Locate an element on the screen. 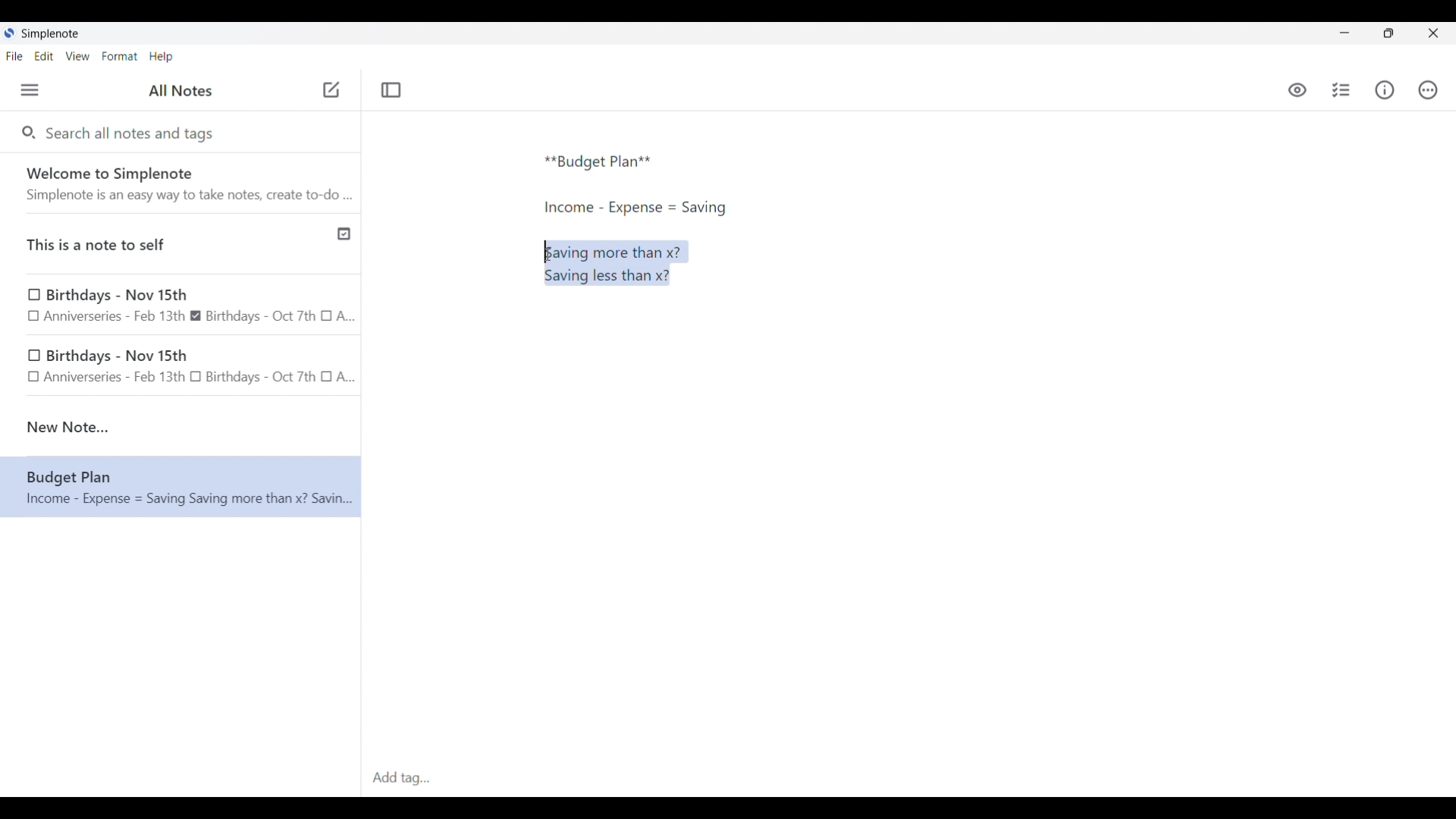 This screenshot has height=819, width=1456. Insert checklist is located at coordinates (1342, 90).